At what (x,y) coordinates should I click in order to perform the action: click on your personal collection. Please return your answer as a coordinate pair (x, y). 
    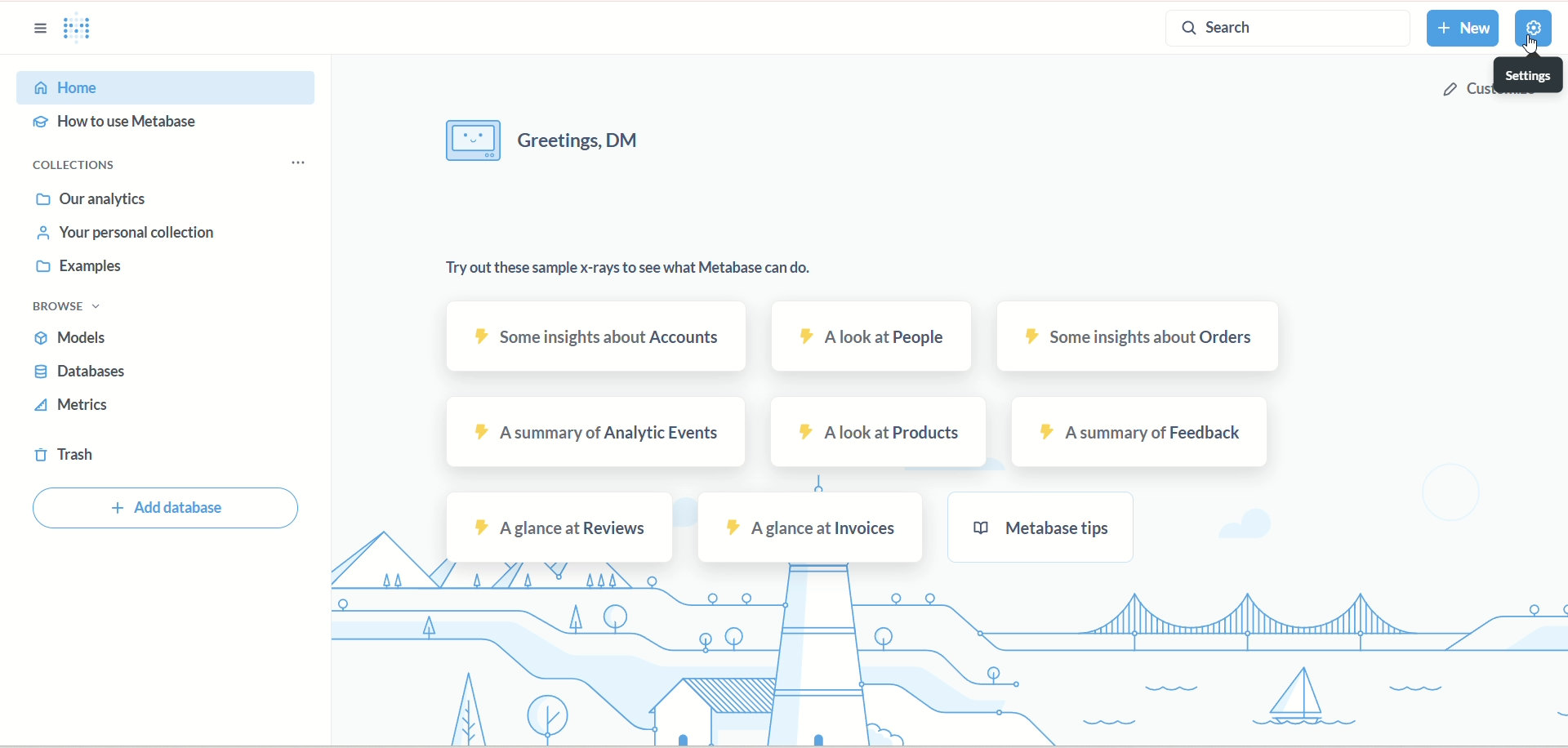
    Looking at the image, I should click on (129, 236).